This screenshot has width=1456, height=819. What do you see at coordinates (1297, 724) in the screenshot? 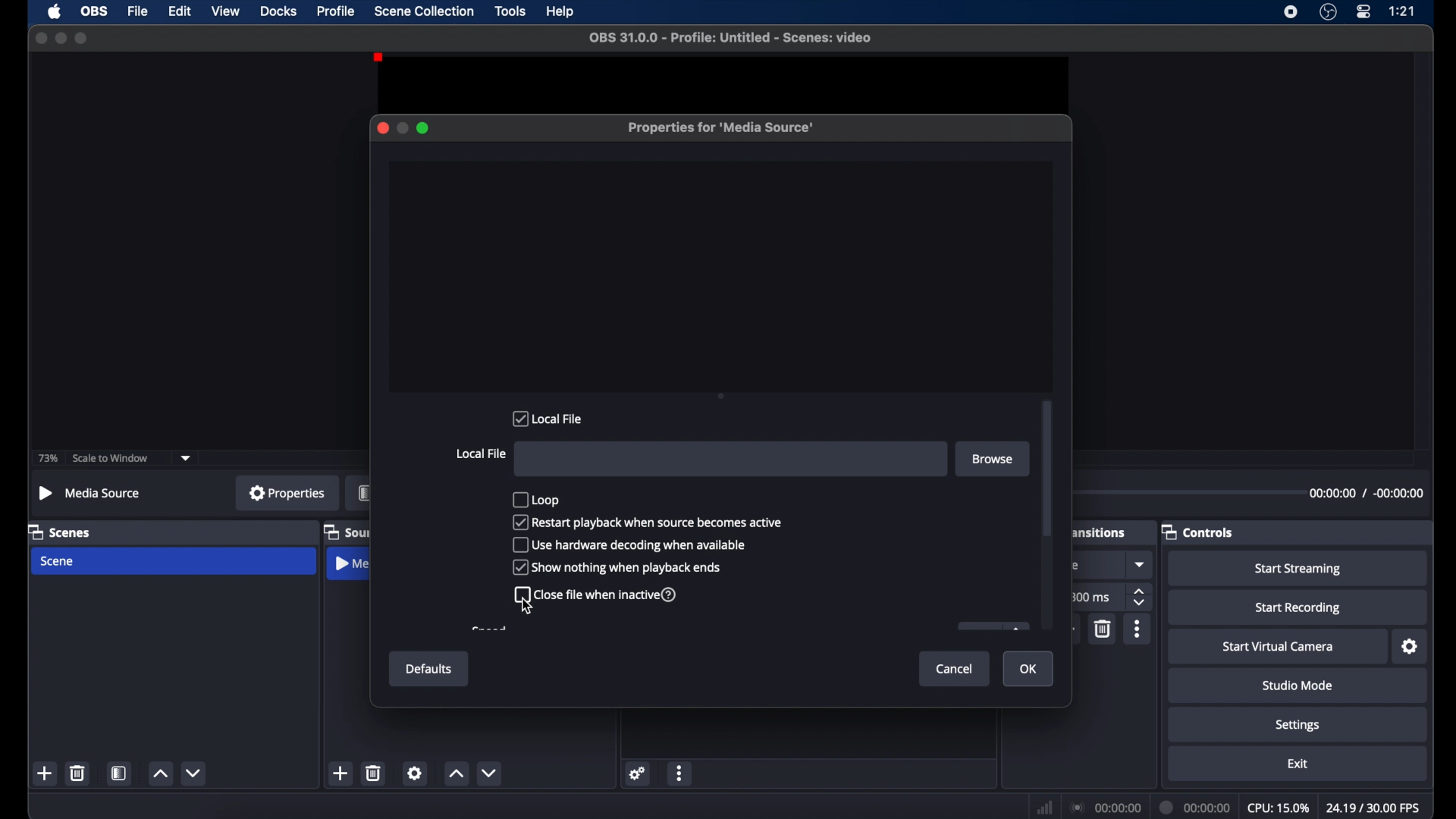
I see `settings` at bounding box center [1297, 724].